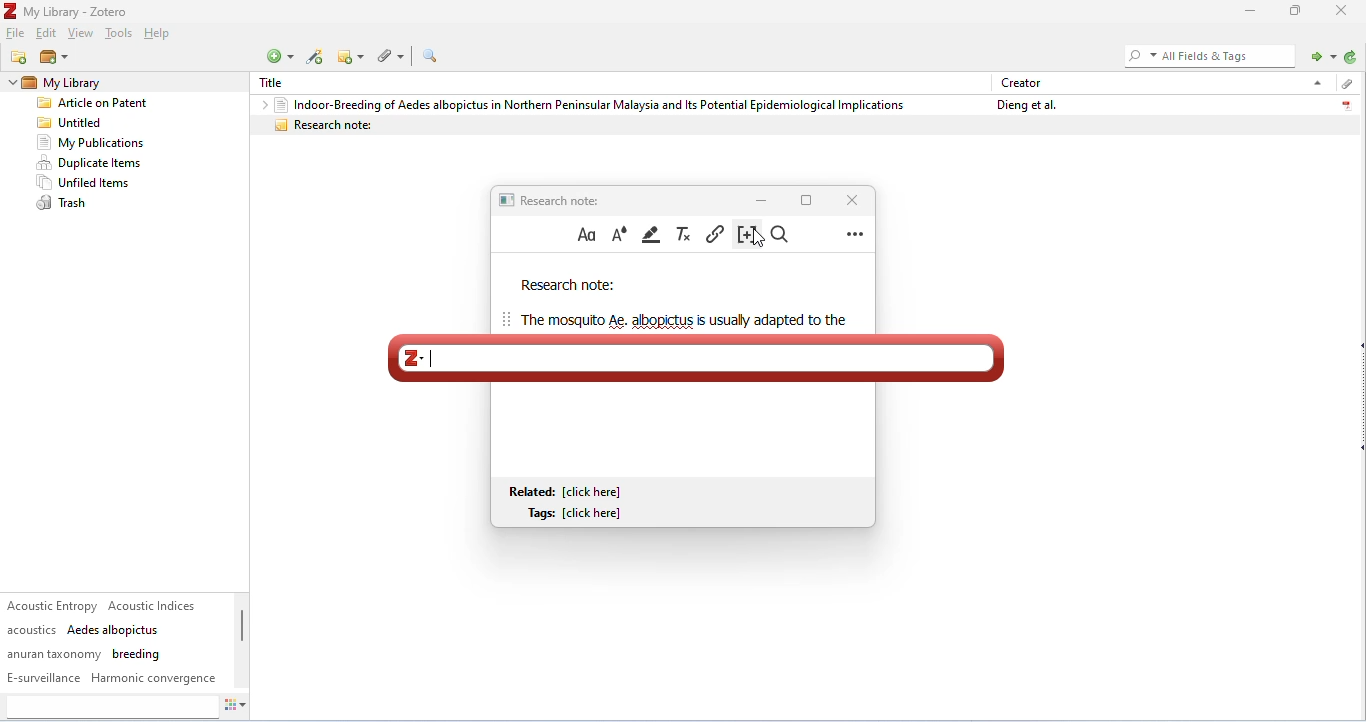 The width and height of the screenshot is (1366, 722). What do you see at coordinates (277, 83) in the screenshot?
I see `title` at bounding box center [277, 83].